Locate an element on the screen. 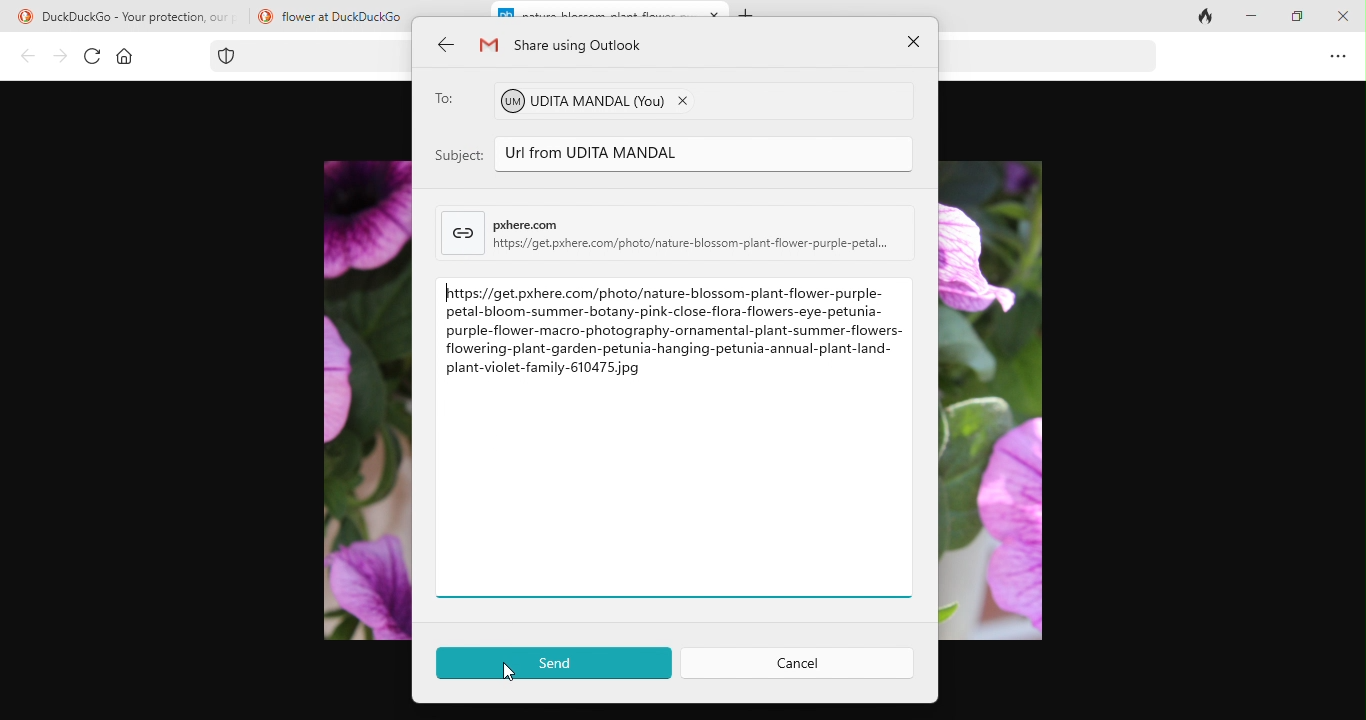 Image resolution: width=1366 pixels, height=720 pixels. cancel is located at coordinates (798, 664).